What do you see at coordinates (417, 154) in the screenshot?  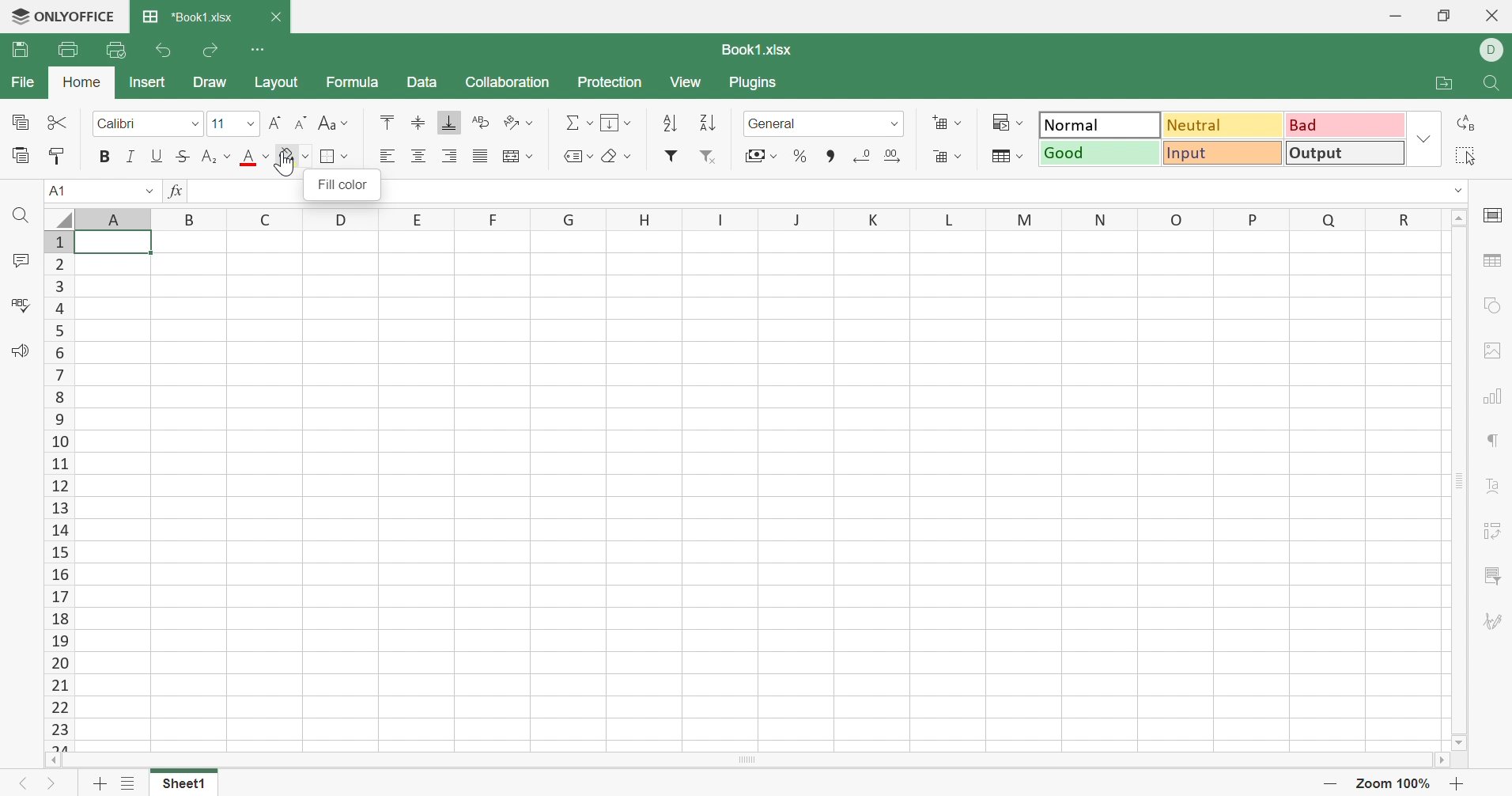 I see `Align Center` at bounding box center [417, 154].